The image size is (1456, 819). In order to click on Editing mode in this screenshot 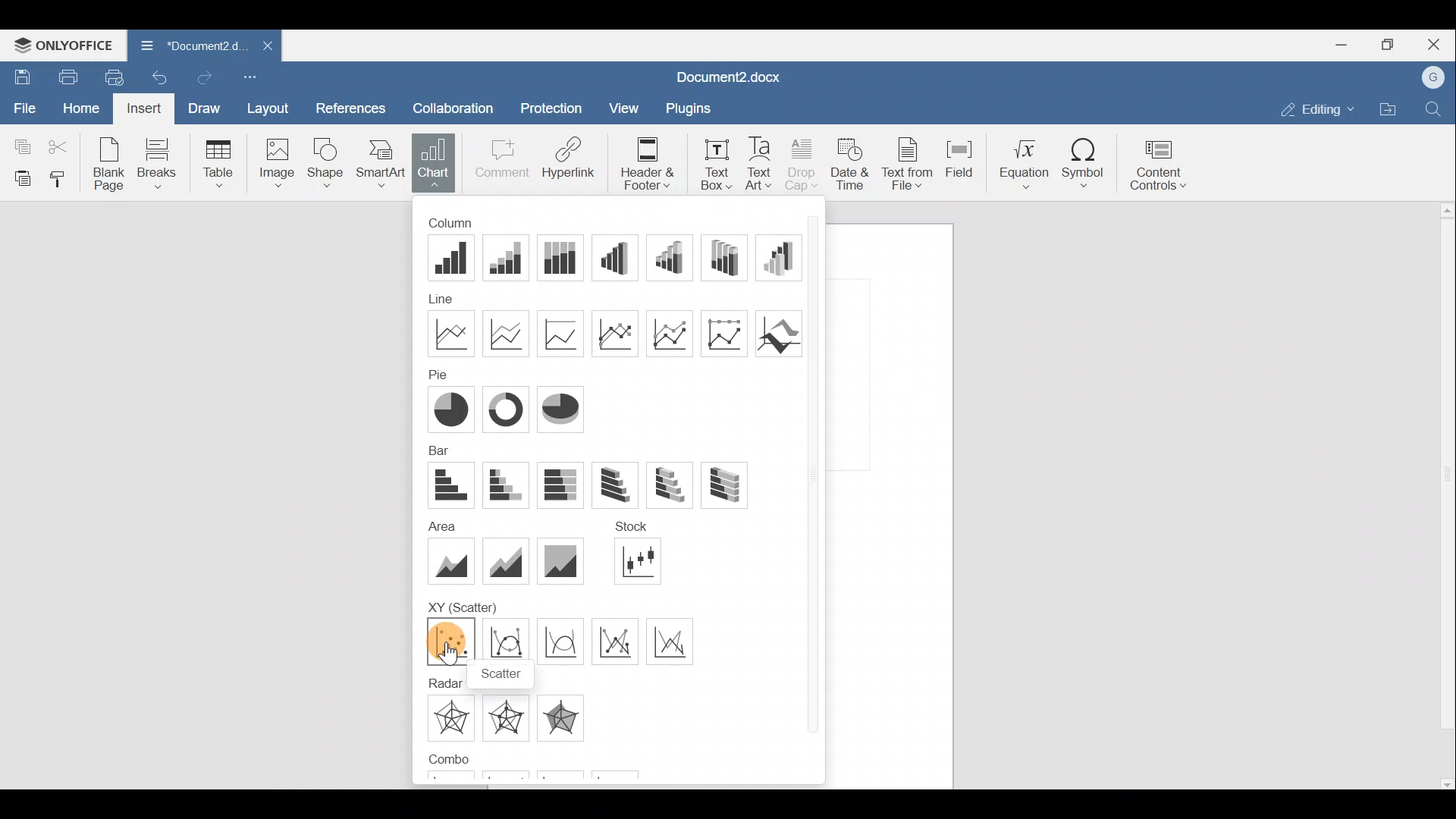, I will do `click(1313, 109)`.